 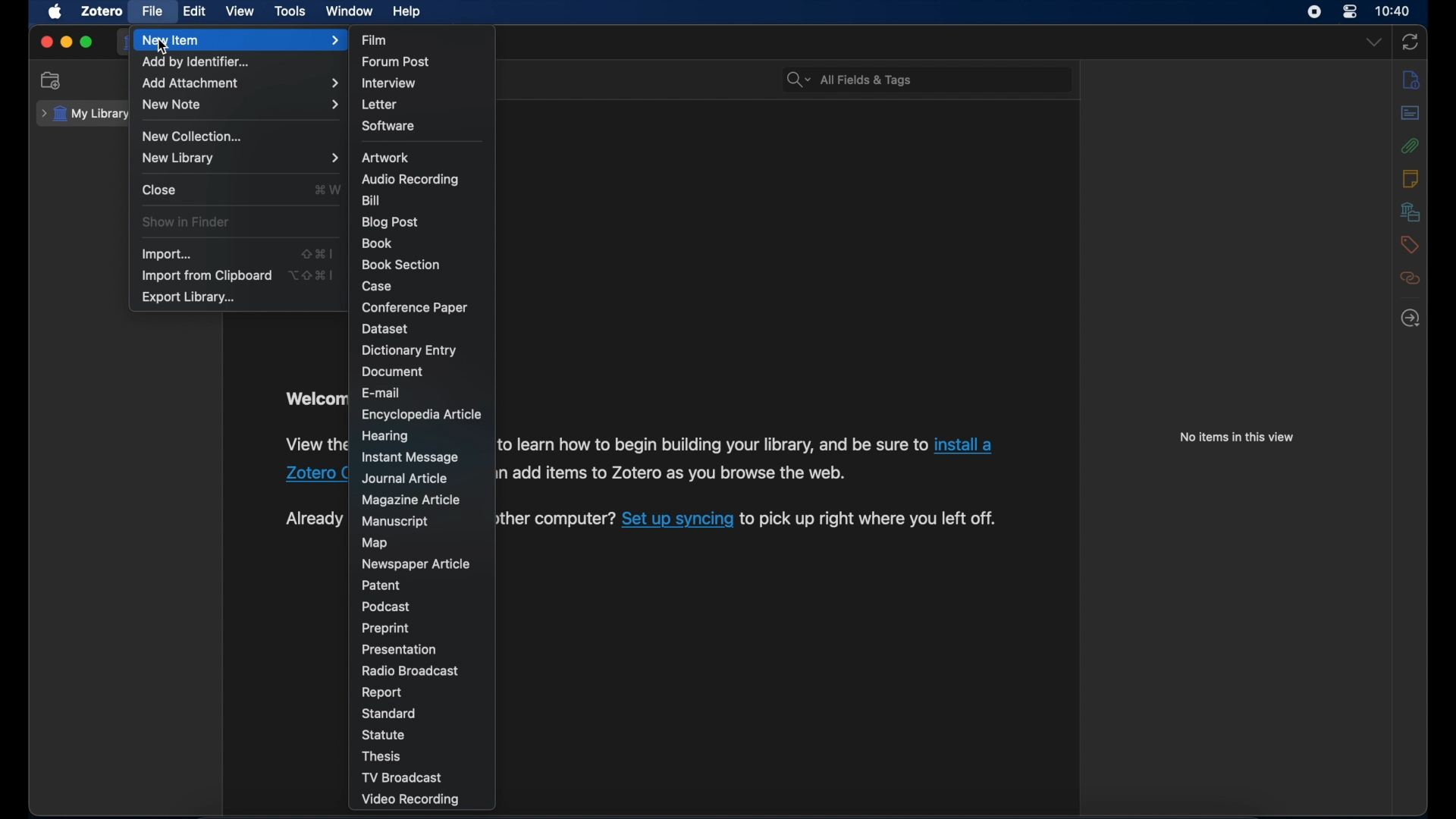 What do you see at coordinates (391, 126) in the screenshot?
I see `software` at bounding box center [391, 126].